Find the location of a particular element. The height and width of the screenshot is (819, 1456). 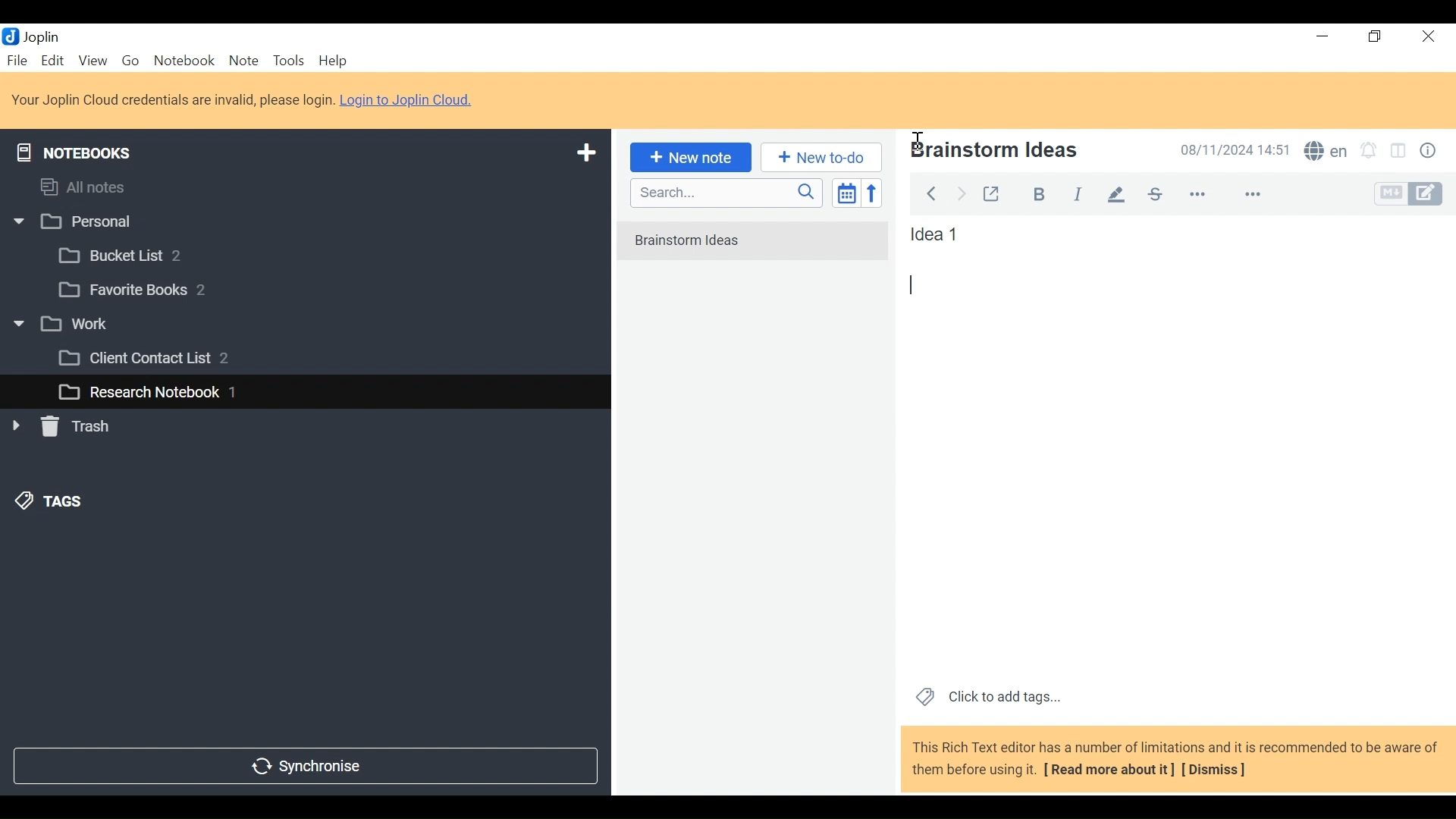

Note properties is located at coordinates (1431, 152).